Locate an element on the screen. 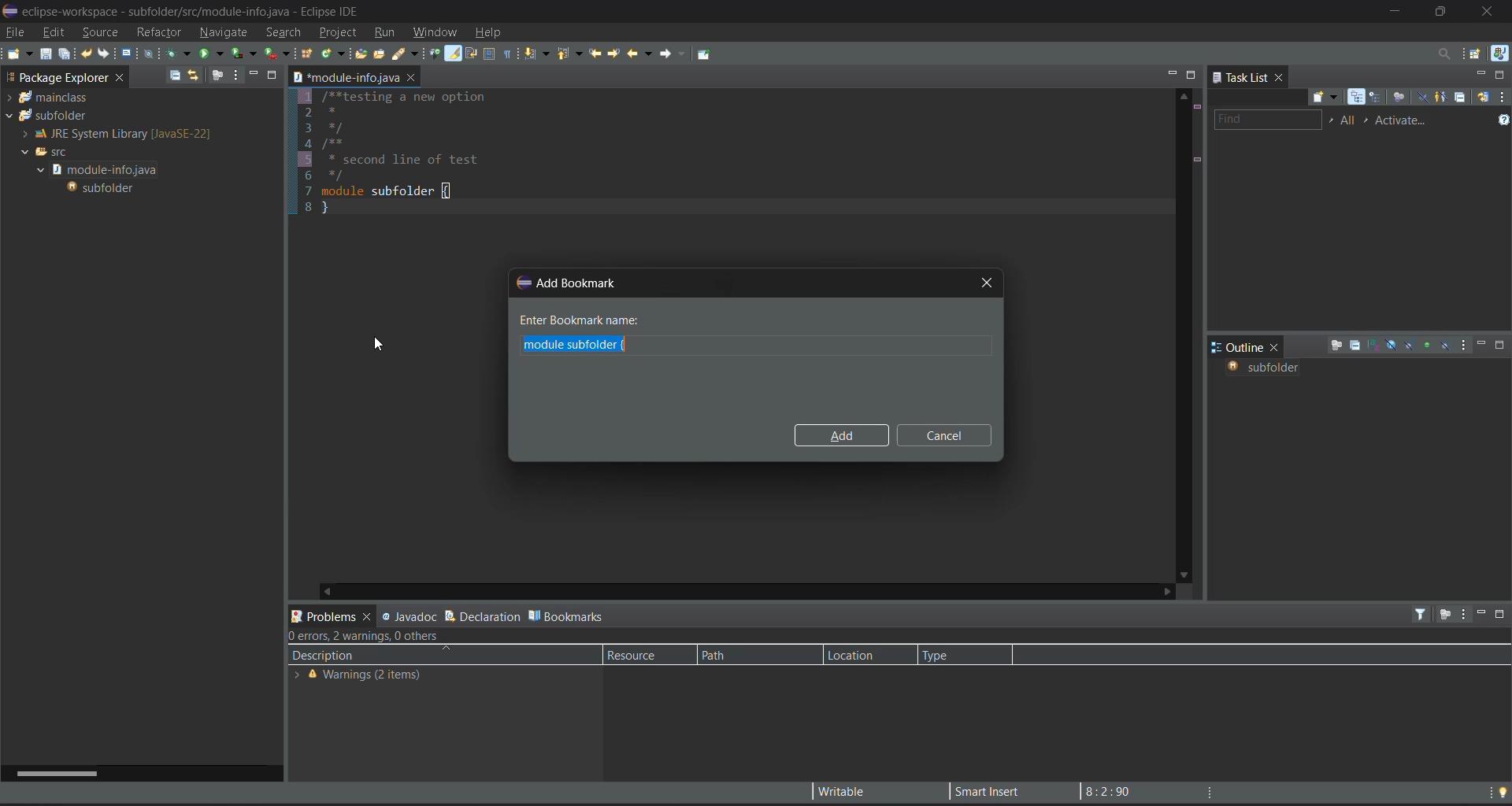 This screenshot has height=806, width=1512. enter bookmark name is located at coordinates (580, 320).